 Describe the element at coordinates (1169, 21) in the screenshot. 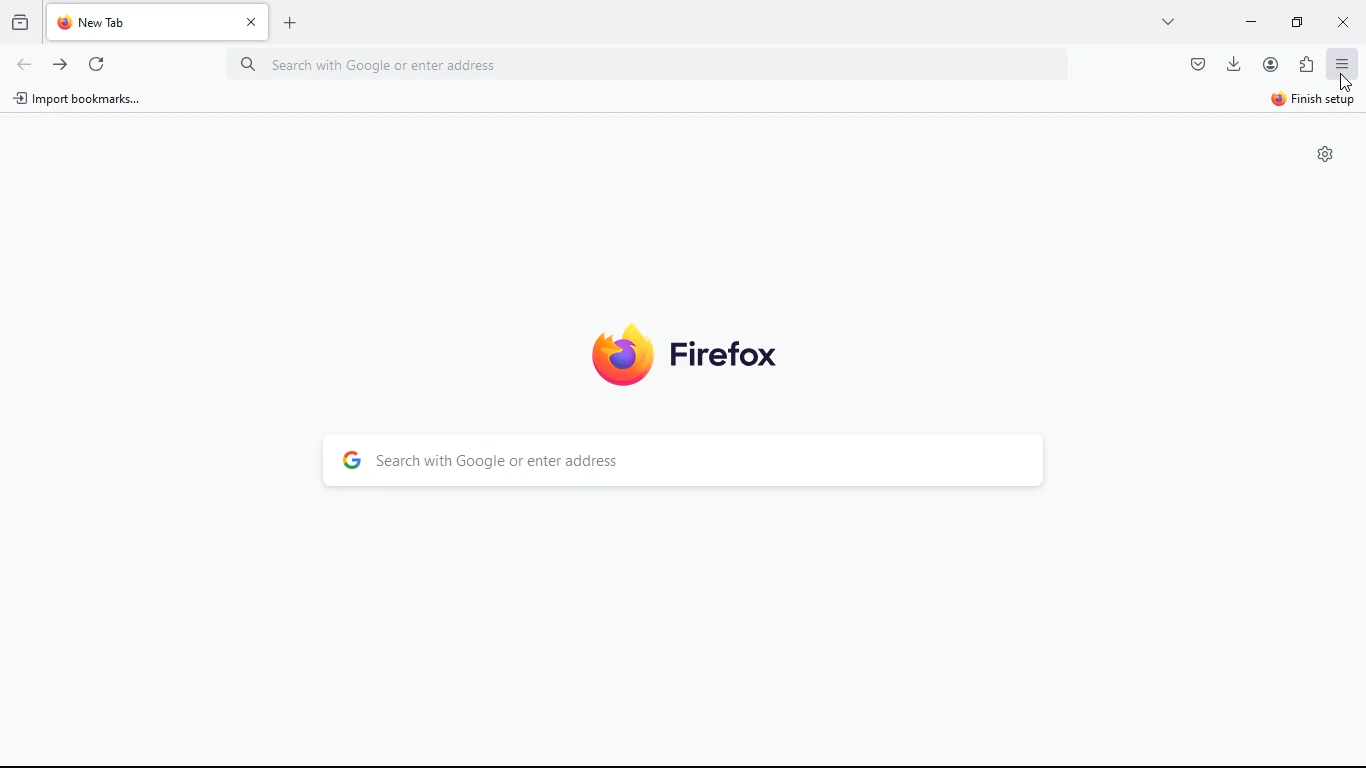

I see `more` at that location.